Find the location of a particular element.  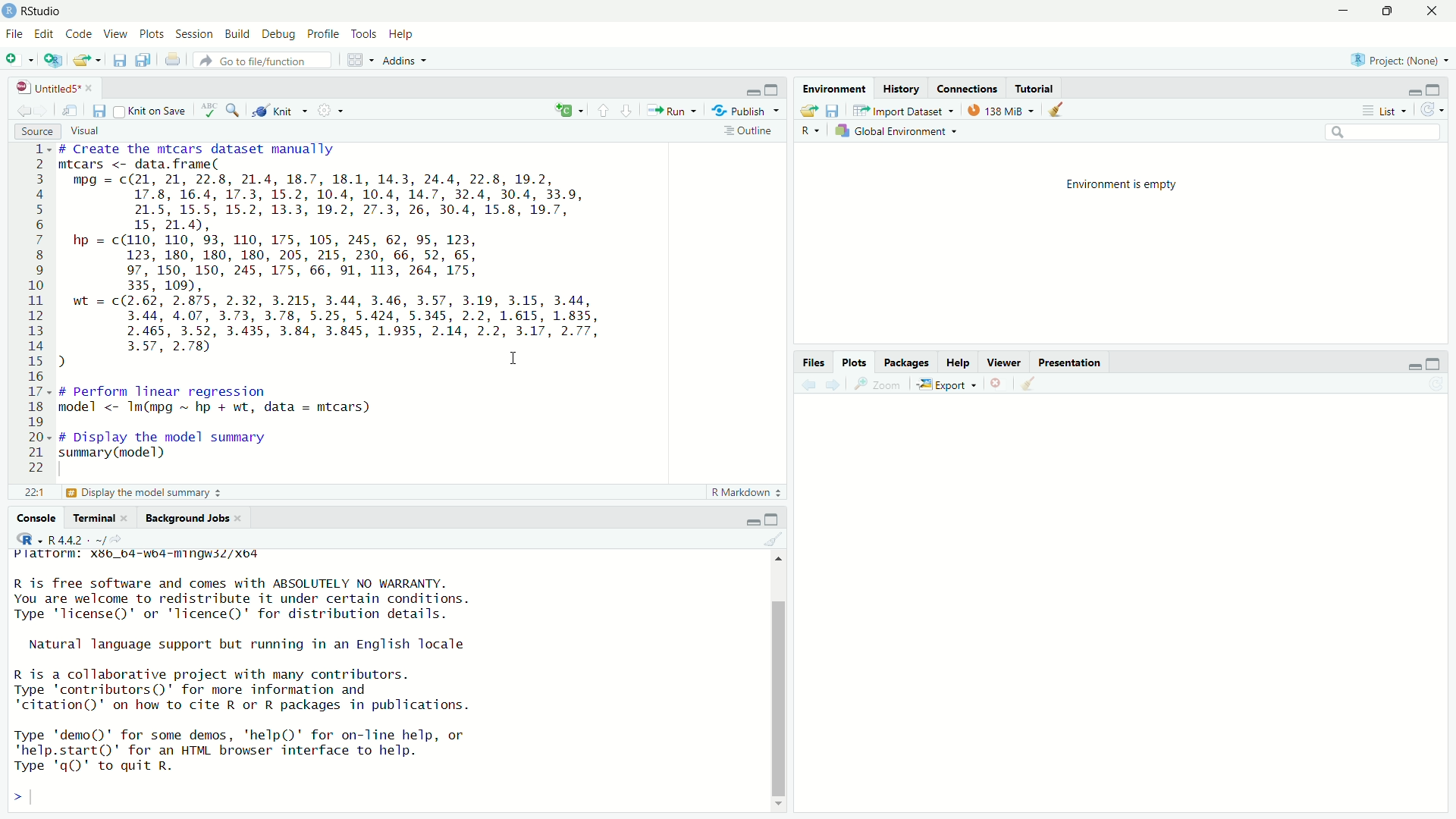

tools is located at coordinates (362, 33).